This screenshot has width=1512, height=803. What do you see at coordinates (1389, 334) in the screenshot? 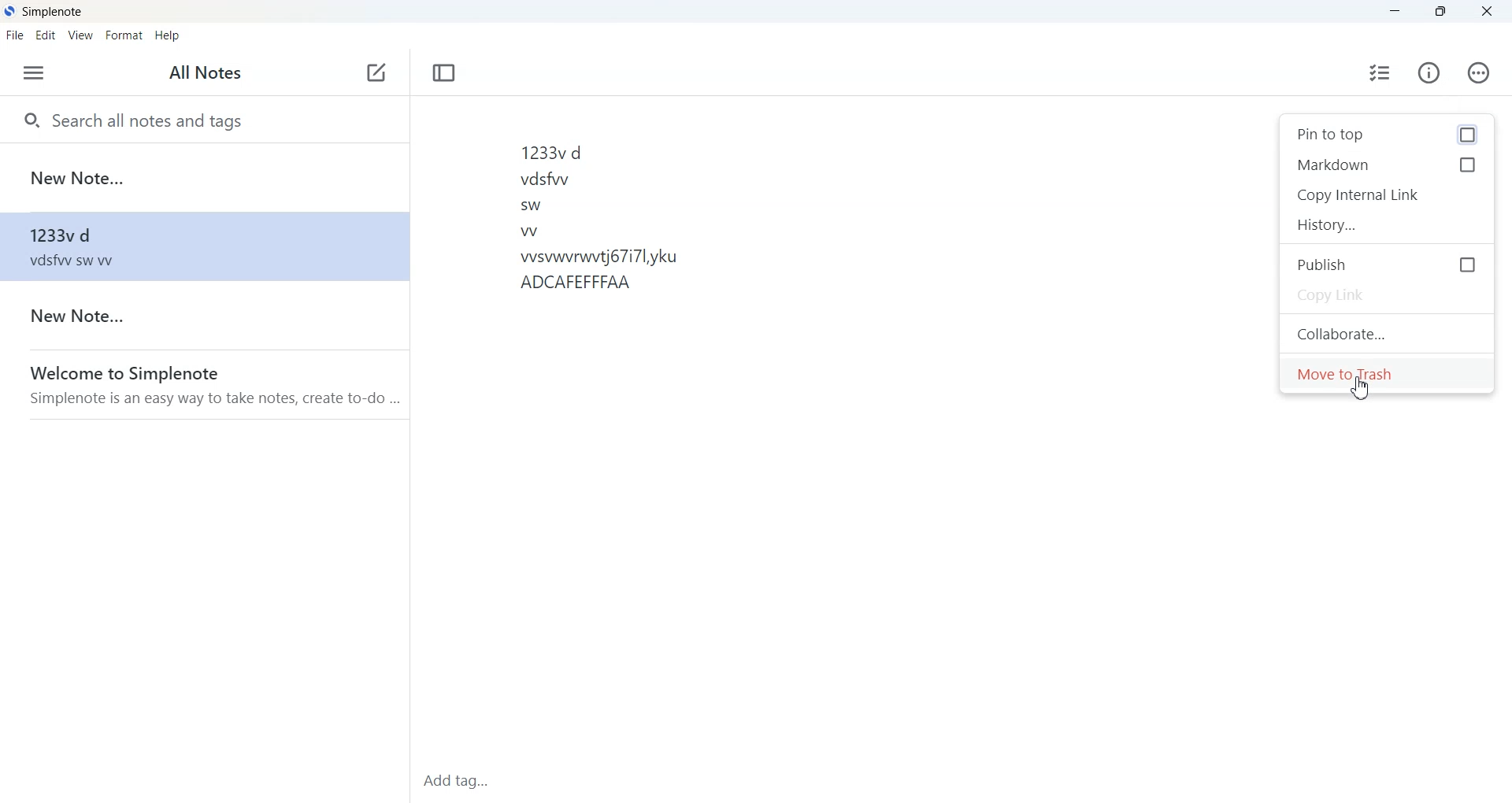
I see `Collaborate...` at bounding box center [1389, 334].